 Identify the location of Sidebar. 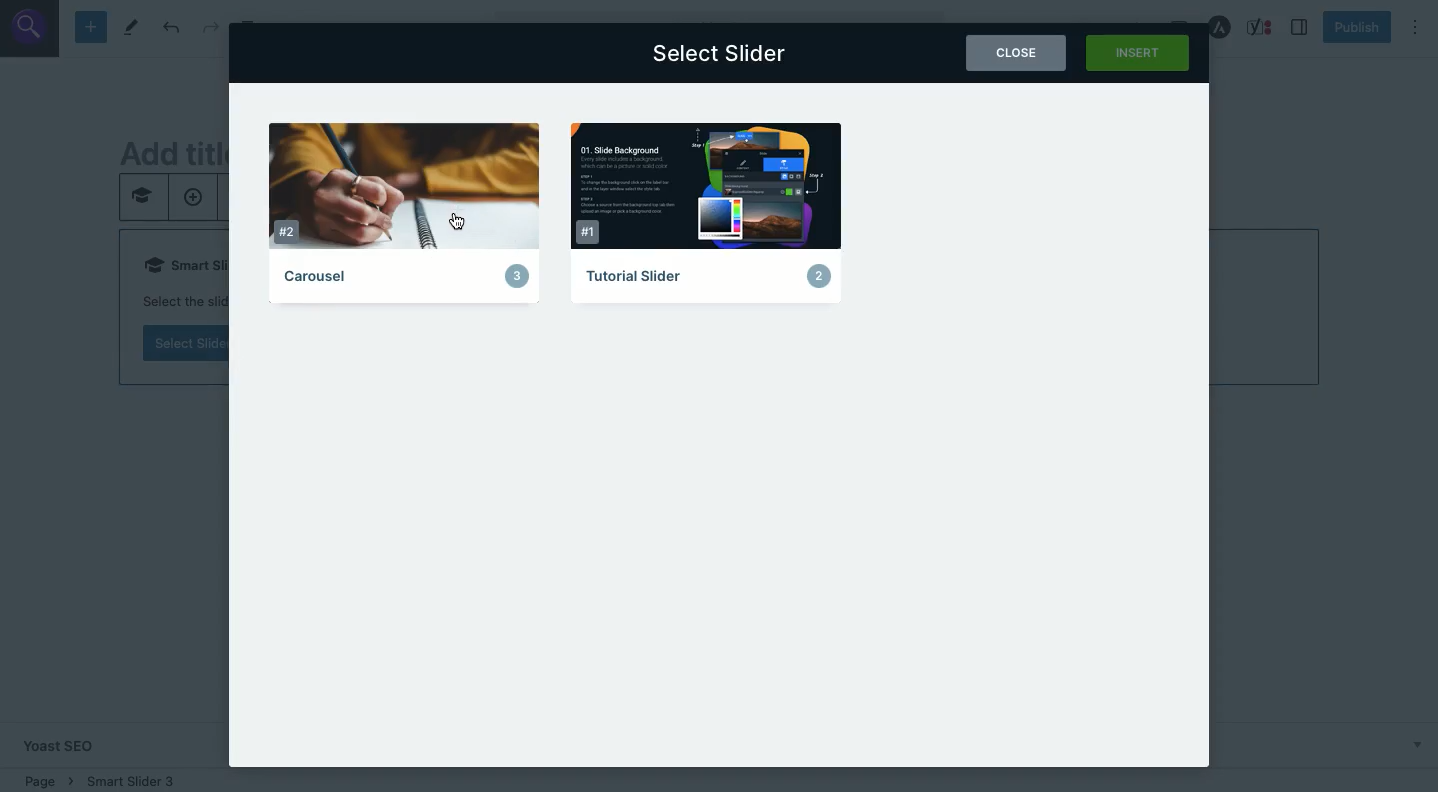
(1300, 27).